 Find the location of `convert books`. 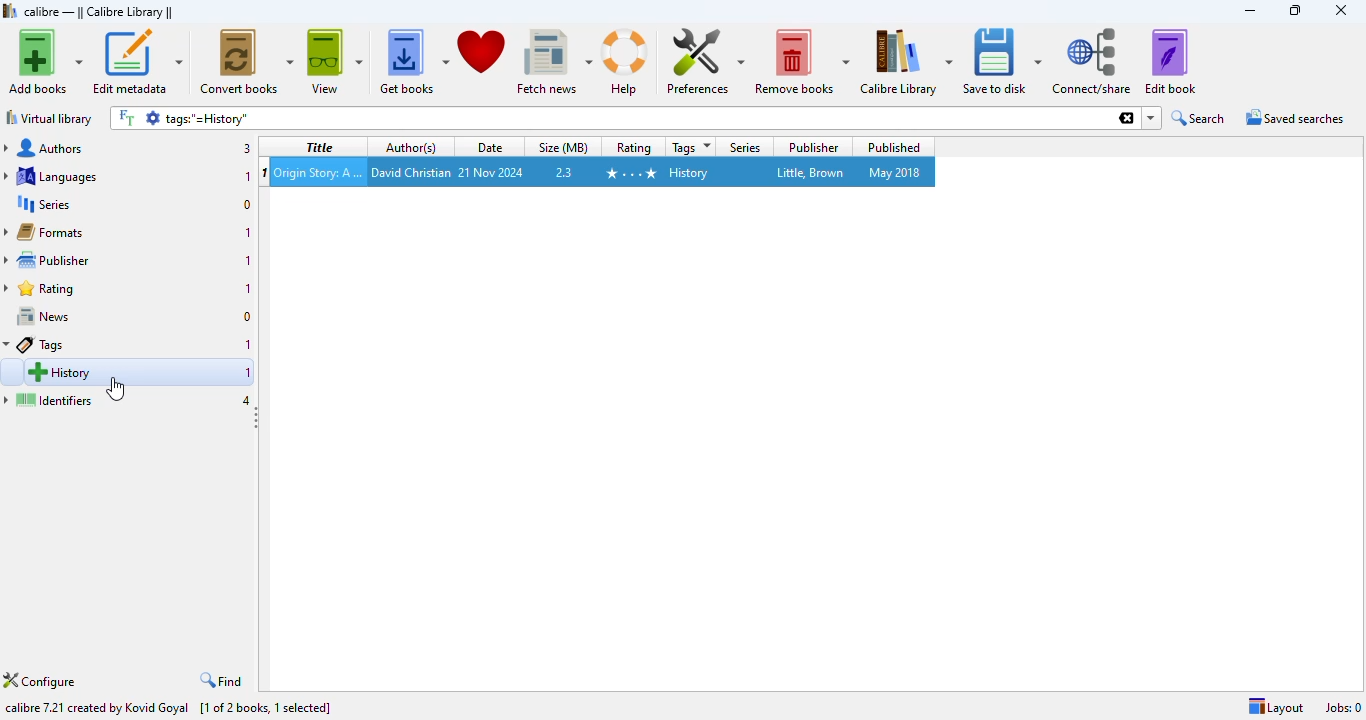

convert books is located at coordinates (245, 62).